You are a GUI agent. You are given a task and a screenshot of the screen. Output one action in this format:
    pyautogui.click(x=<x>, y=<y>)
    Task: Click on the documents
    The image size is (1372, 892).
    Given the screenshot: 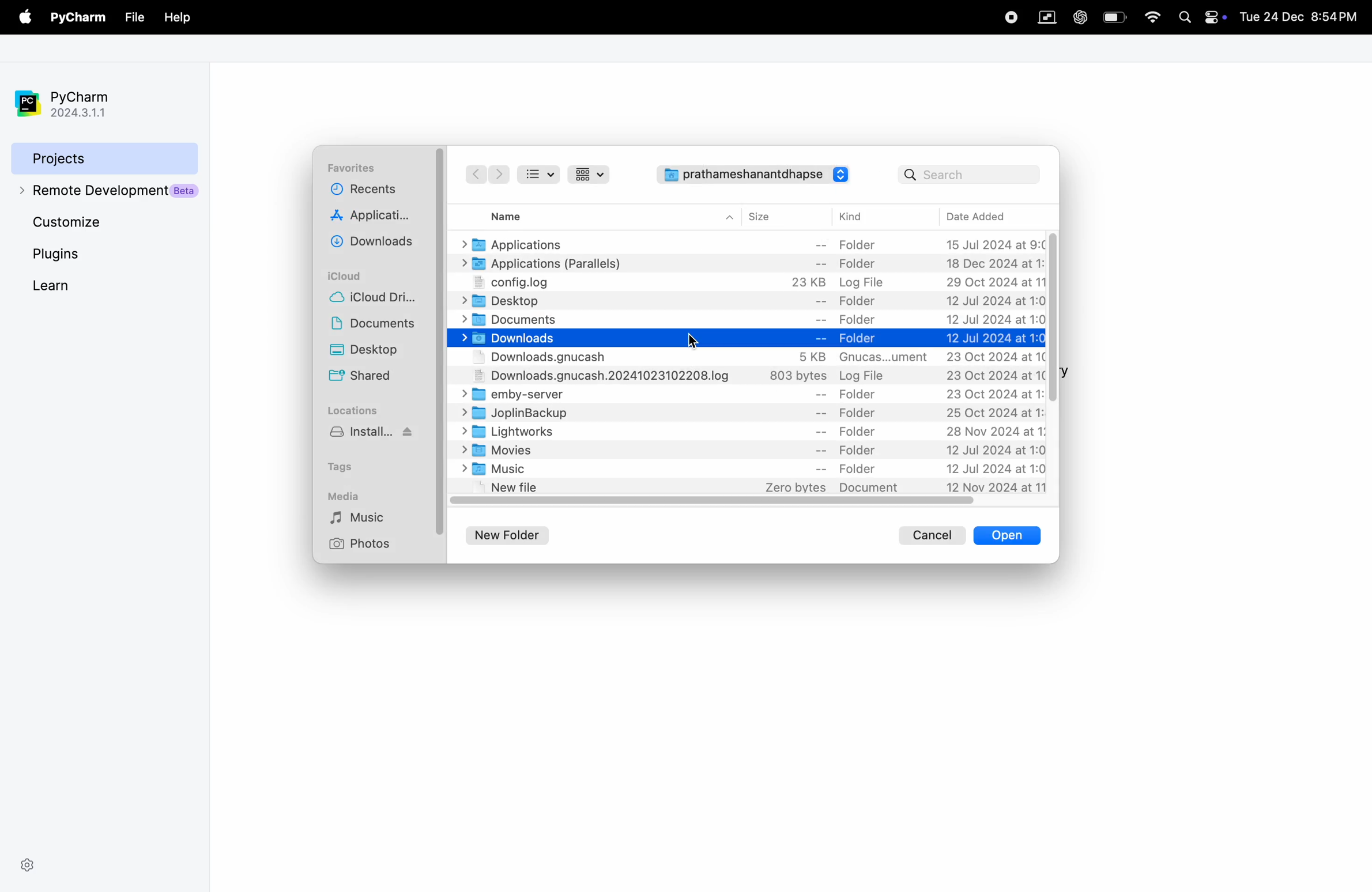 What is the action you would take?
    pyautogui.click(x=377, y=326)
    